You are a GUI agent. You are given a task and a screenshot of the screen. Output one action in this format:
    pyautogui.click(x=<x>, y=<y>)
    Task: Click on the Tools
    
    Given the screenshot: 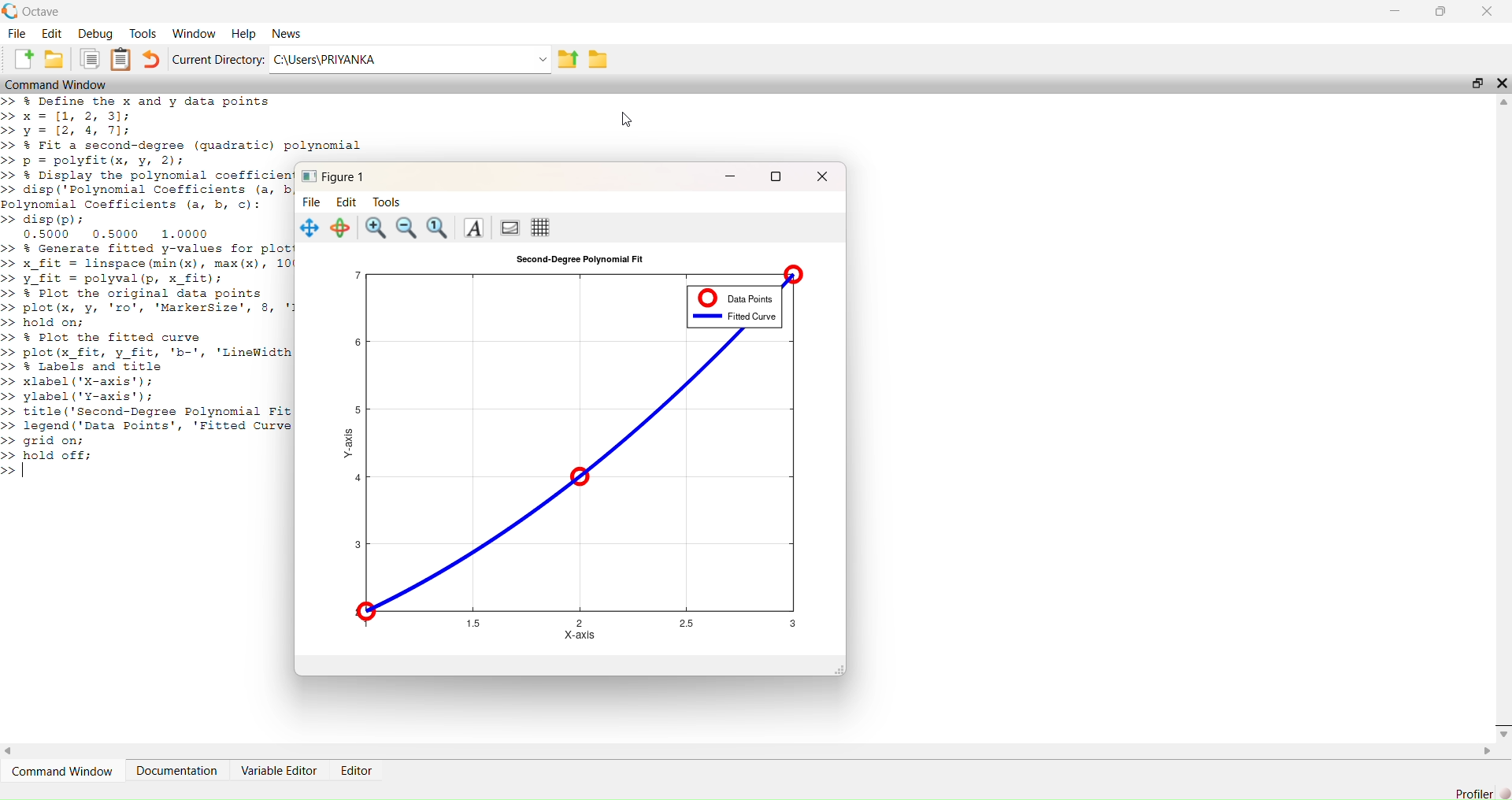 What is the action you would take?
    pyautogui.click(x=143, y=34)
    